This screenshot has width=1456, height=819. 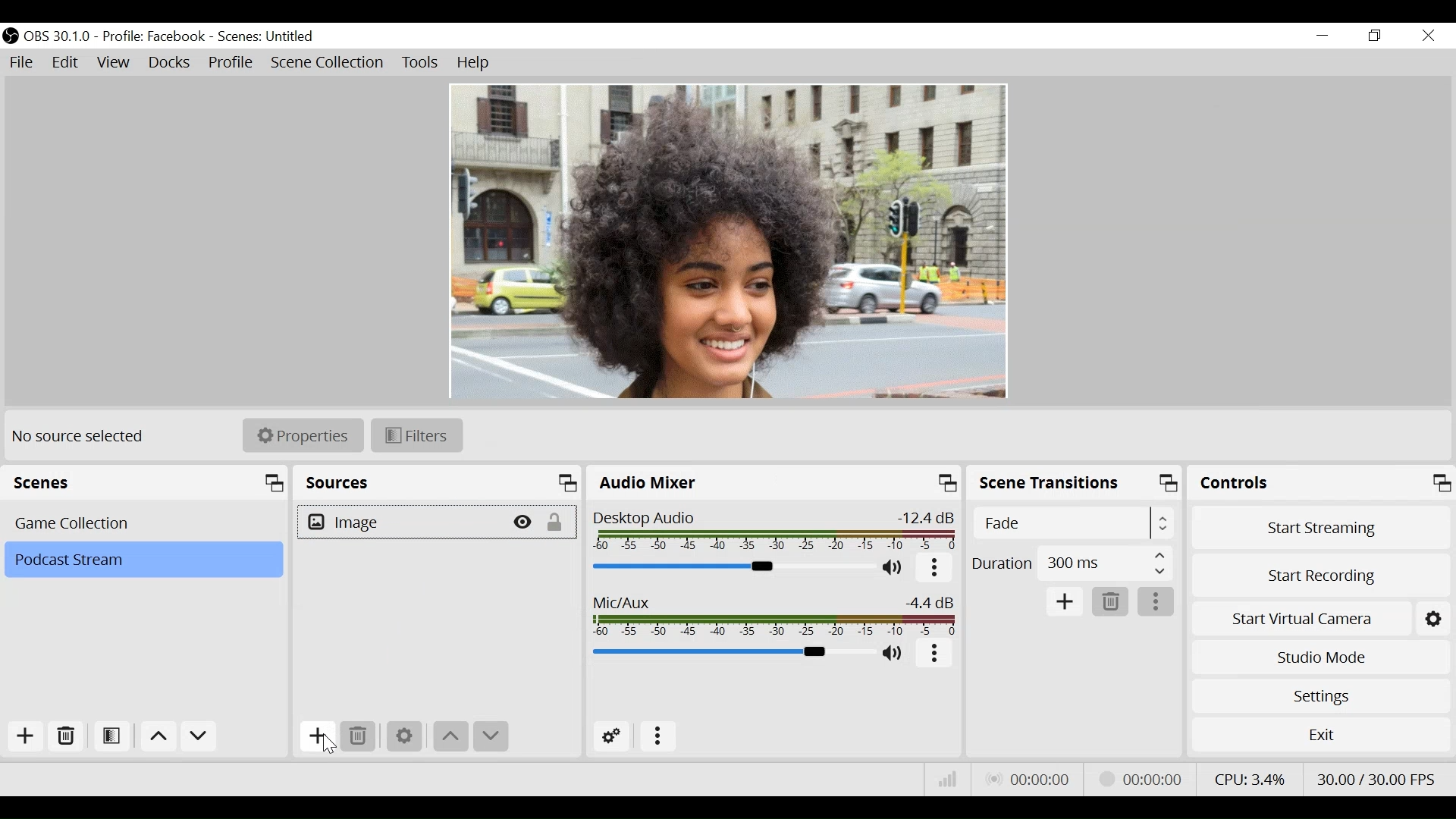 I want to click on Preview, so click(x=727, y=240).